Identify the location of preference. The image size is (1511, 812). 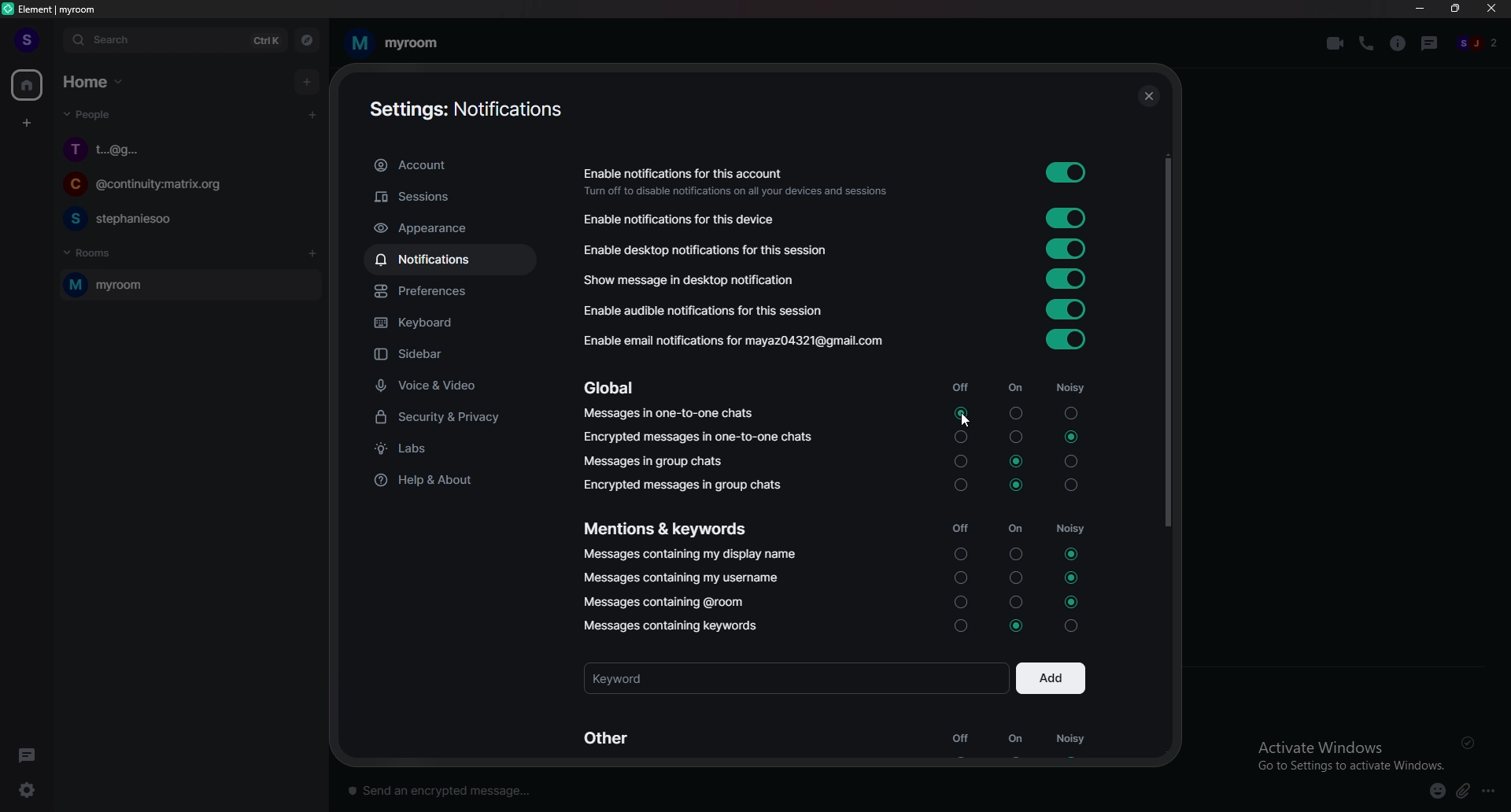
(456, 291).